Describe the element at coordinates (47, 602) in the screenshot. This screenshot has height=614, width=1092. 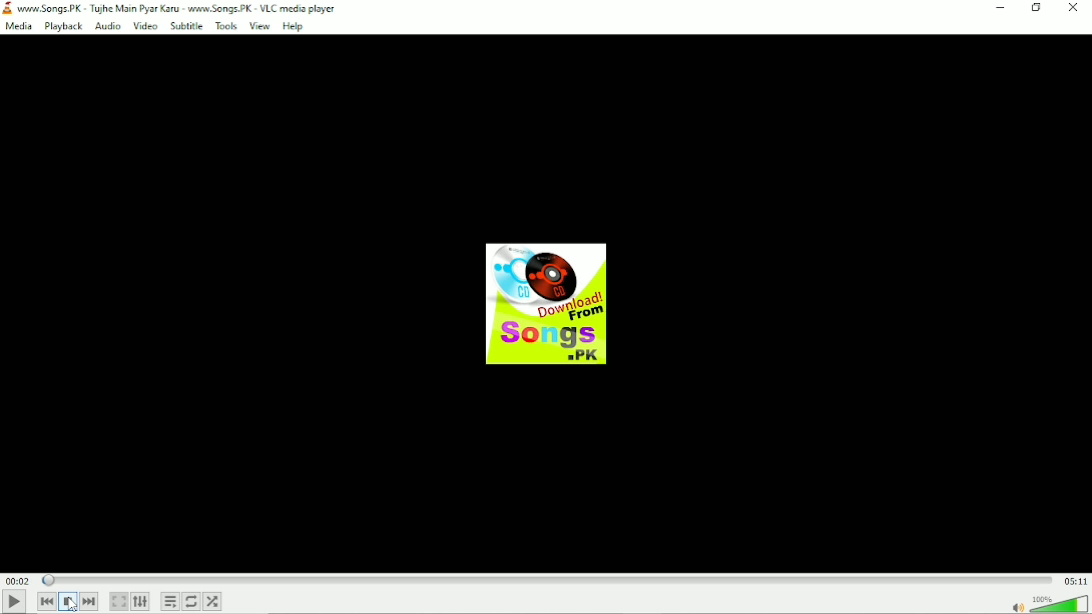
I see `Previous` at that location.